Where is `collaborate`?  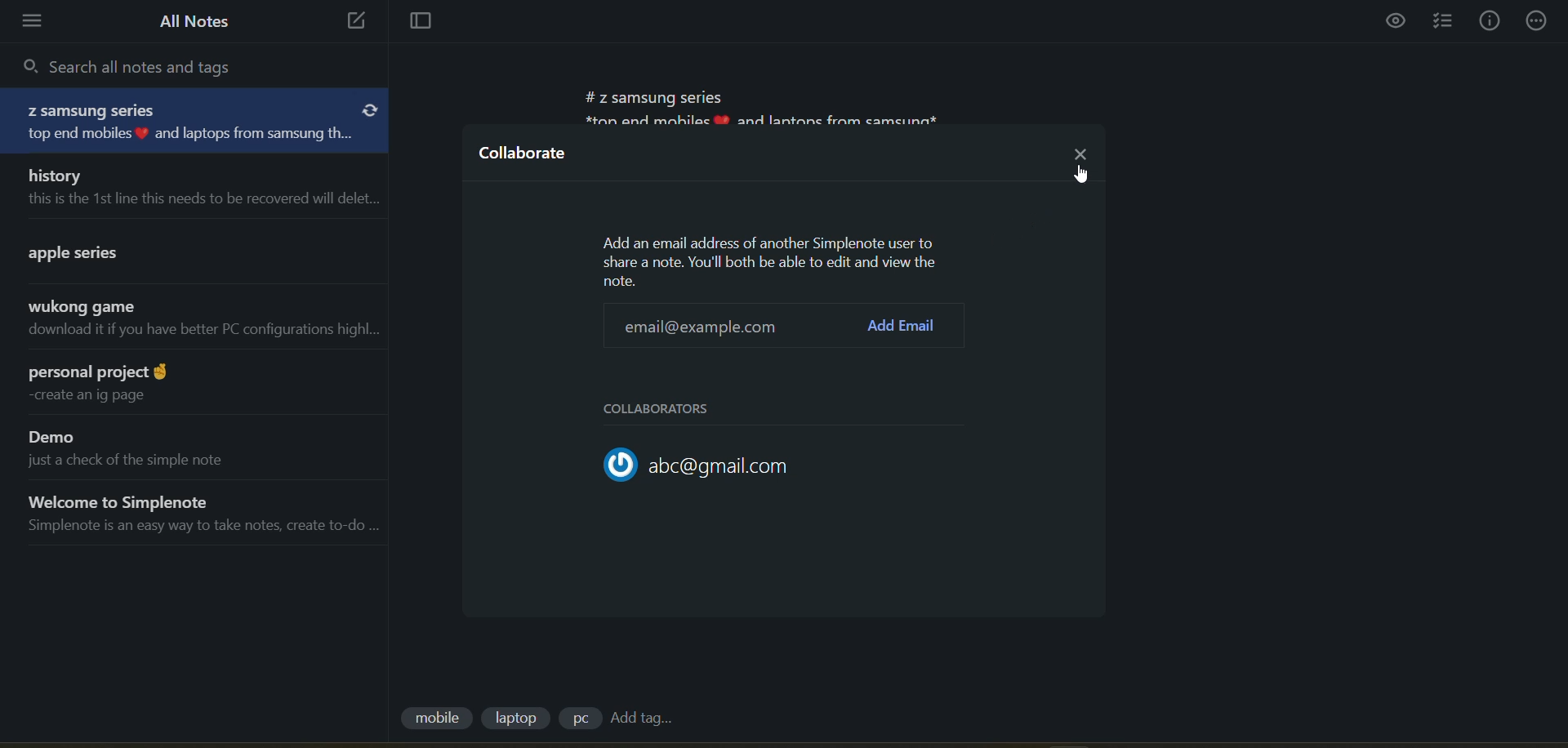
collaborate is located at coordinates (525, 158).